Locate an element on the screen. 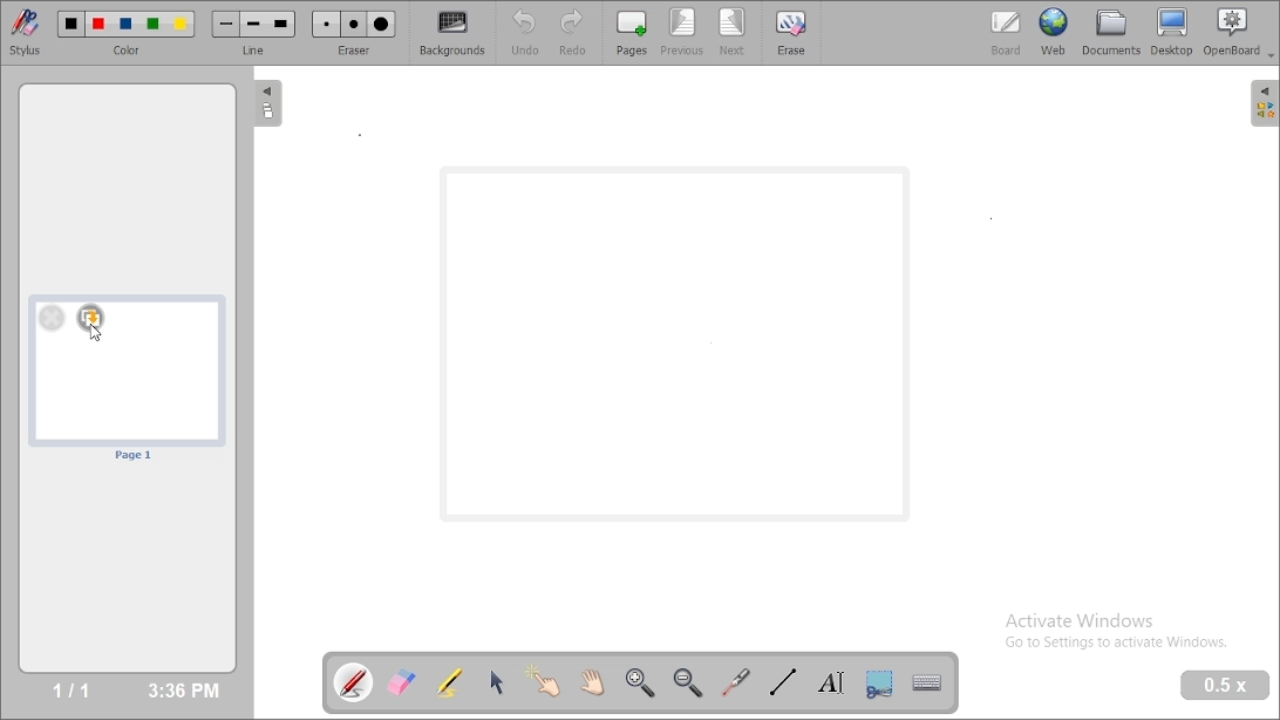  interact with items is located at coordinates (545, 681).